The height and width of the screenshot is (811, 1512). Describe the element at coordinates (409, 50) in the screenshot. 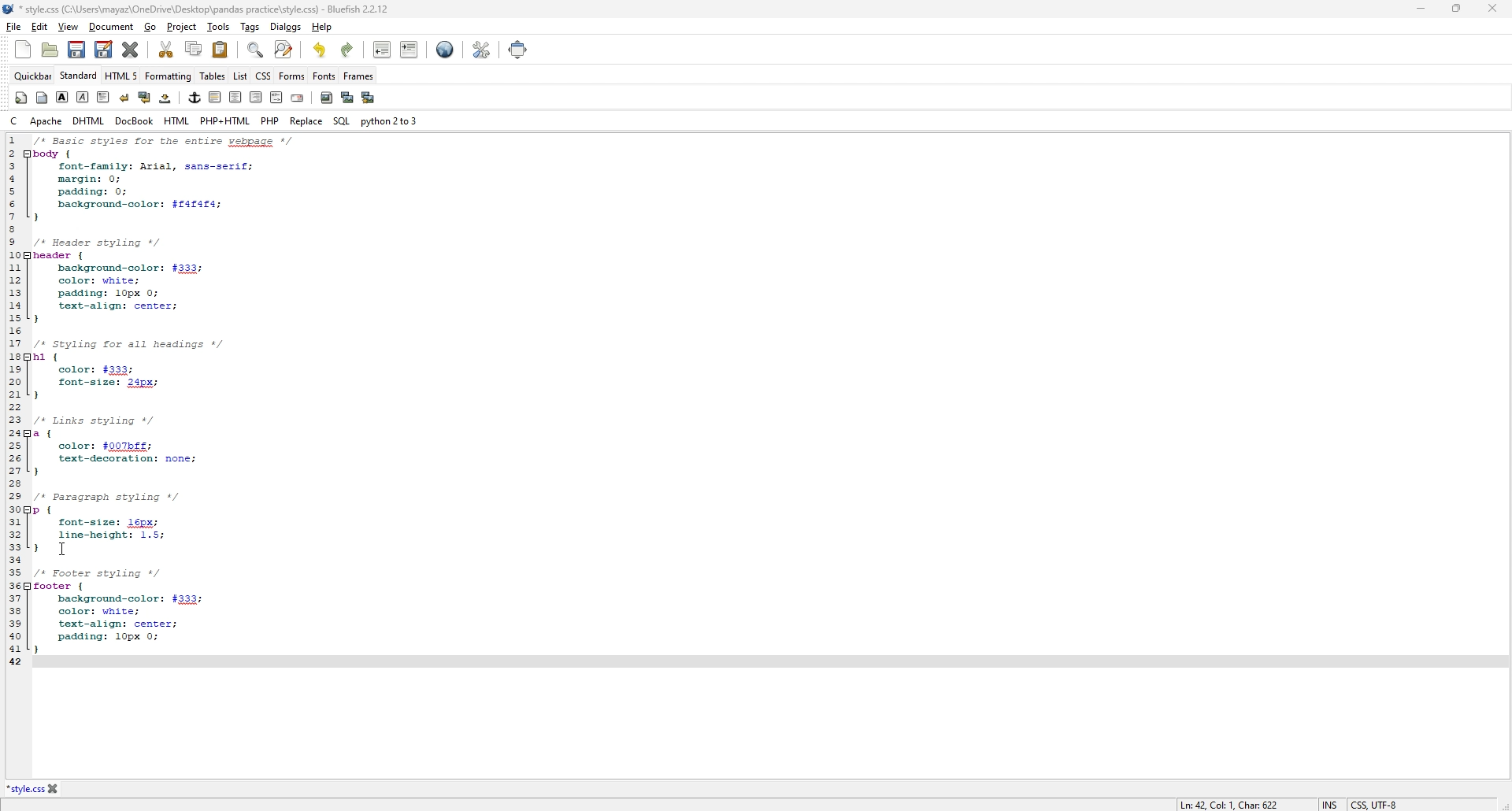

I see `indent` at that location.